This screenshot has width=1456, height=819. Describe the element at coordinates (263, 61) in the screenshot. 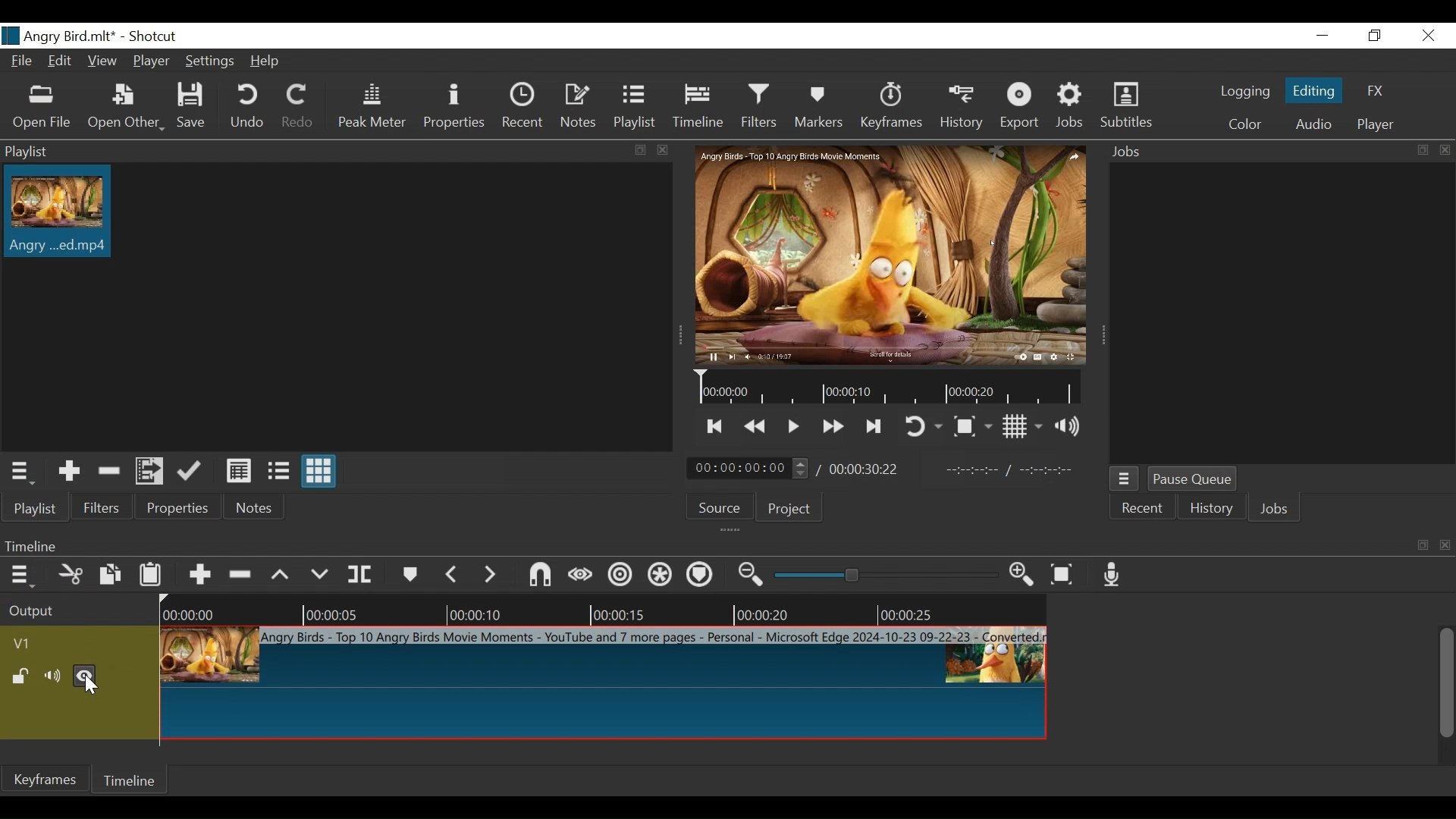

I see `Help` at that location.